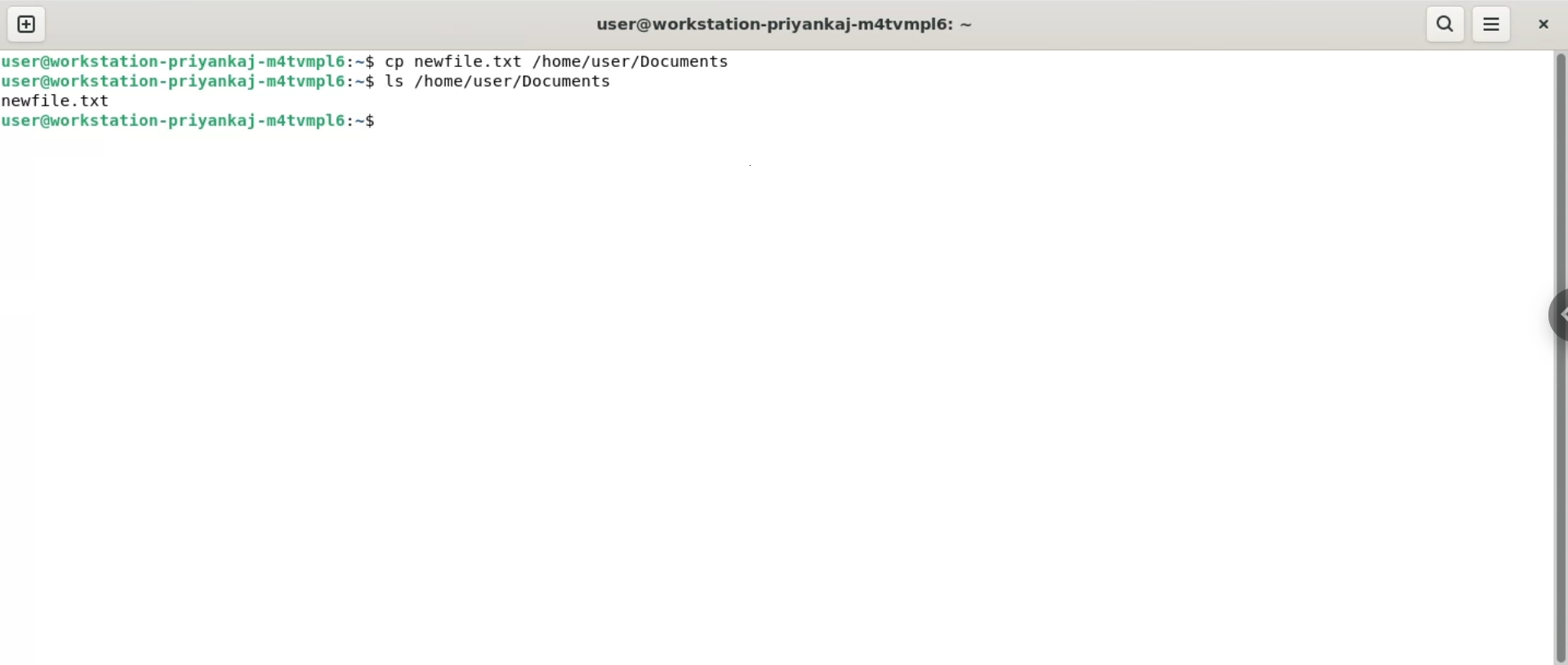 This screenshot has width=1568, height=665. Describe the element at coordinates (559, 59) in the screenshot. I see `cp newfile.txt /home/user/Documents` at that location.